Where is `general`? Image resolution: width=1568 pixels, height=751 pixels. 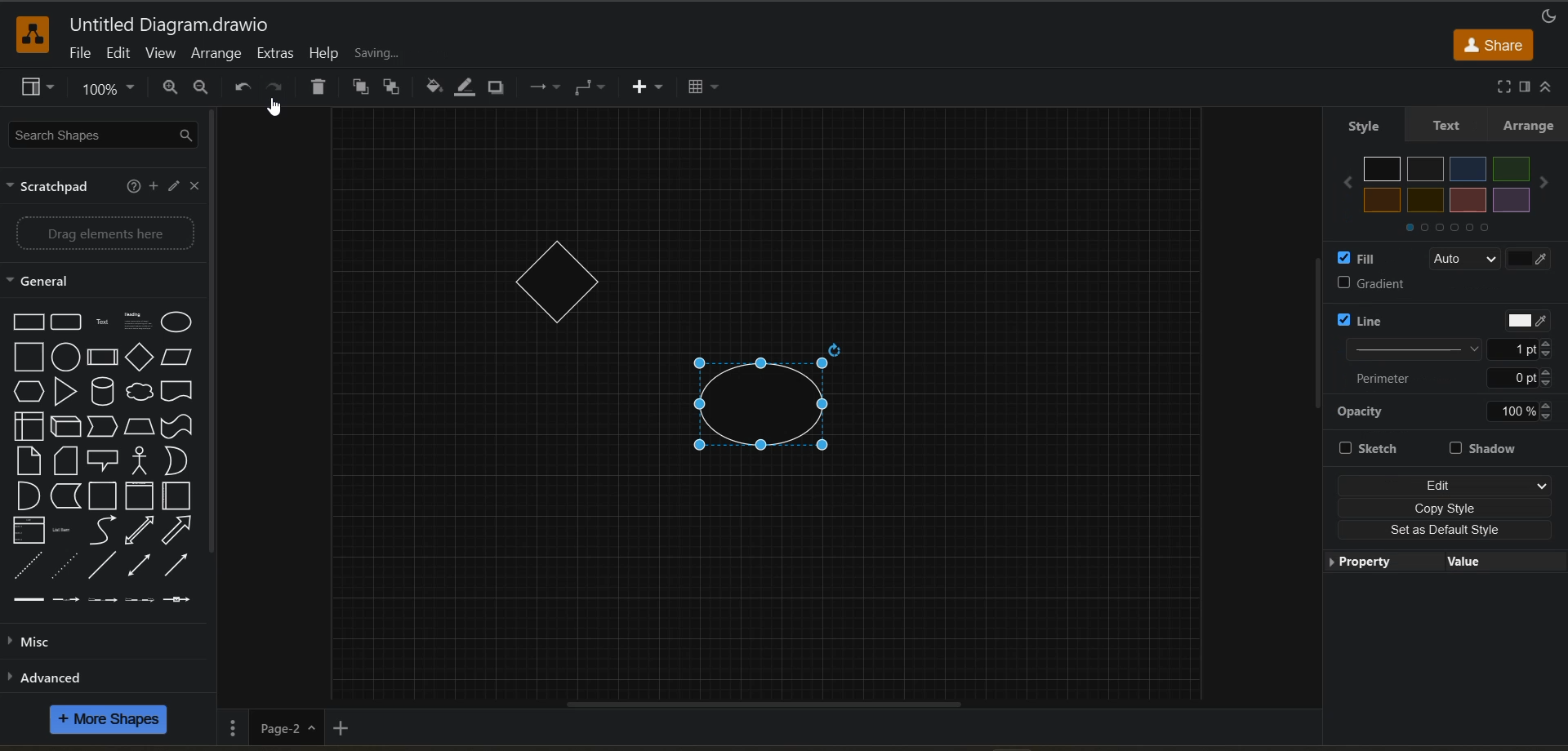
general is located at coordinates (43, 282).